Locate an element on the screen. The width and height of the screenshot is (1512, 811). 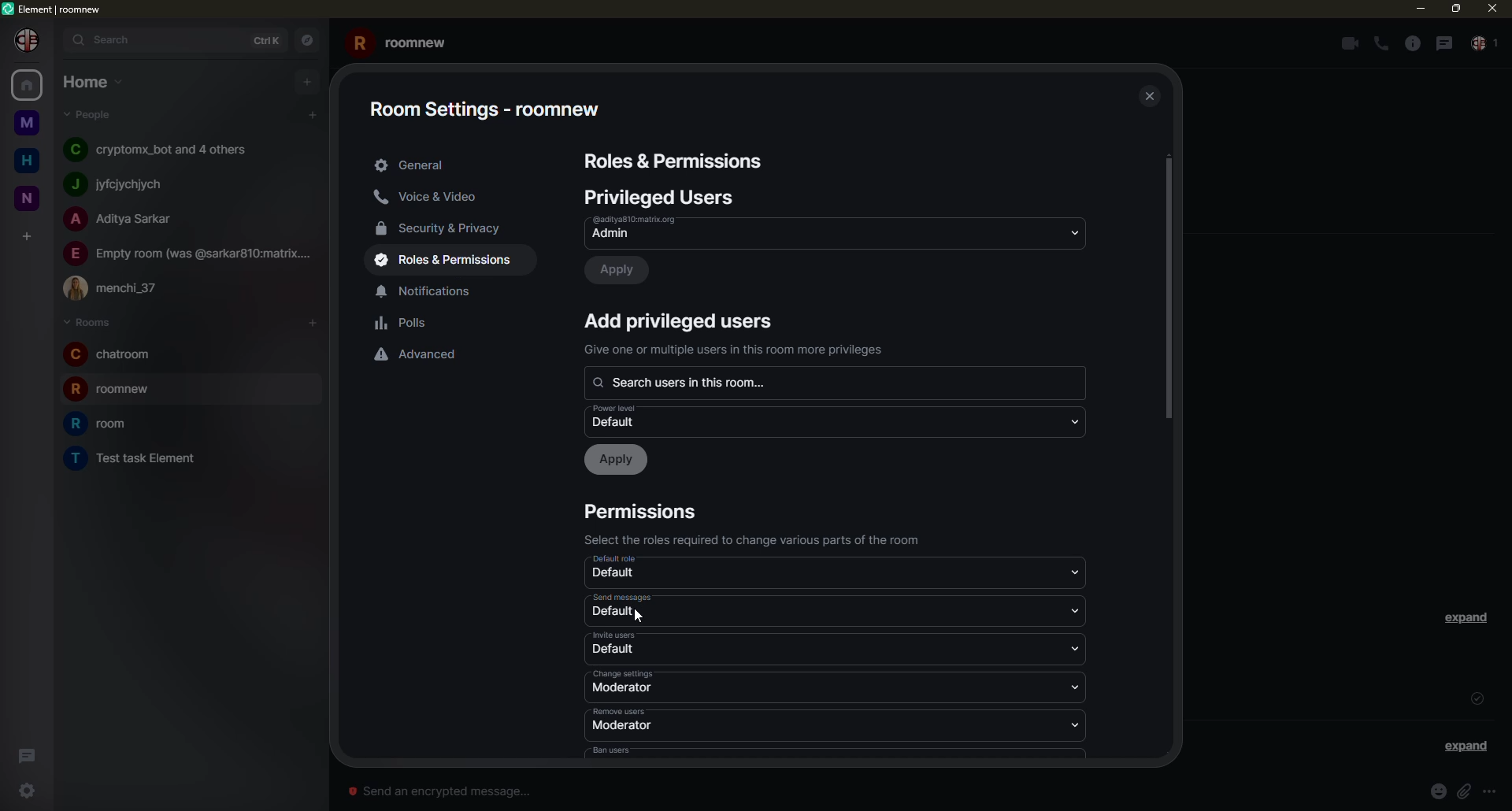
invite is located at coordinates (616, 635).